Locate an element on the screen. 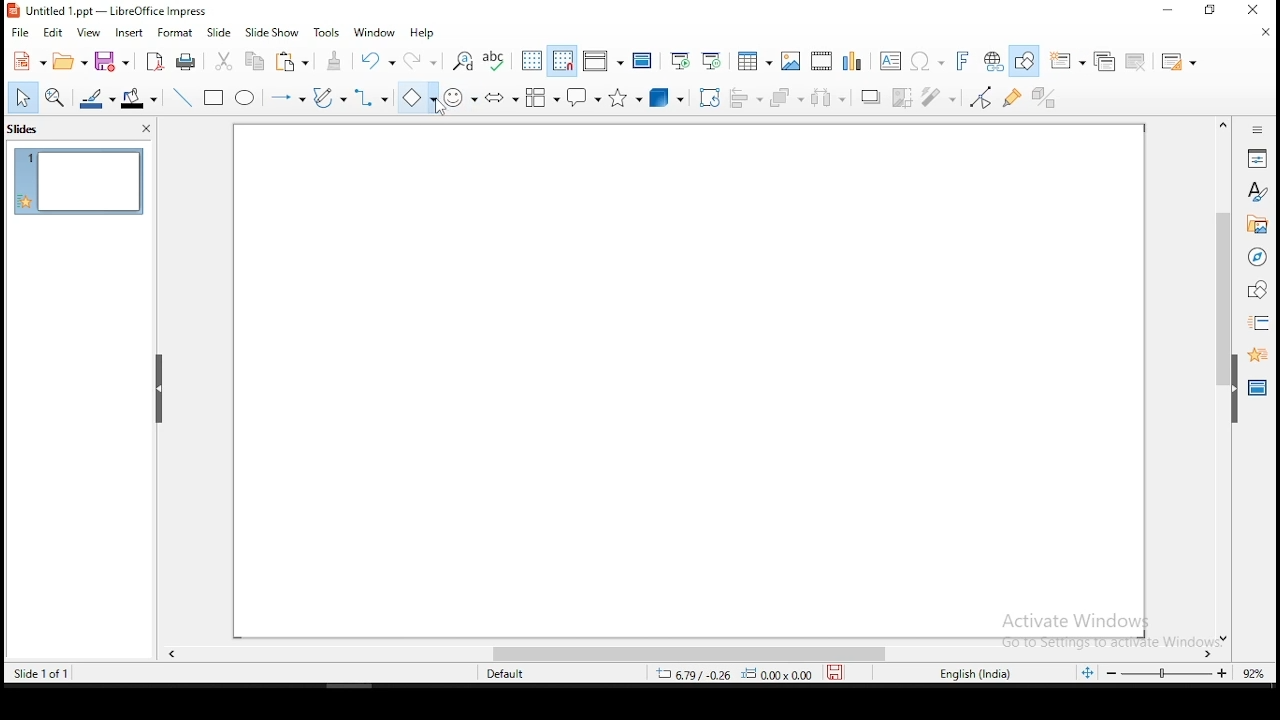 This screenshot has width=1280, height=720. view is located at coordinates (90, 34).